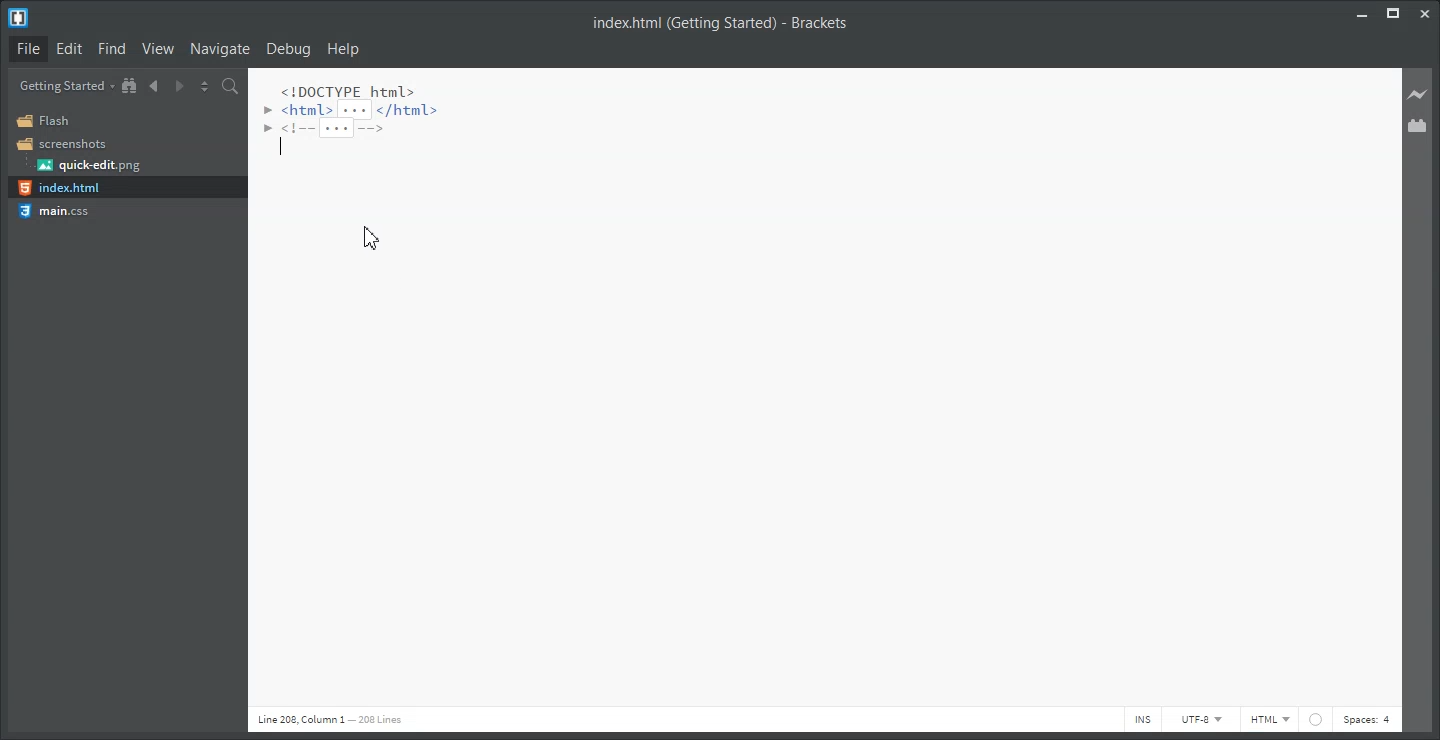  What do you see at coordinates (221, 49) in the screenshot?
I see `Navigate` at bounding box center [221, 49].